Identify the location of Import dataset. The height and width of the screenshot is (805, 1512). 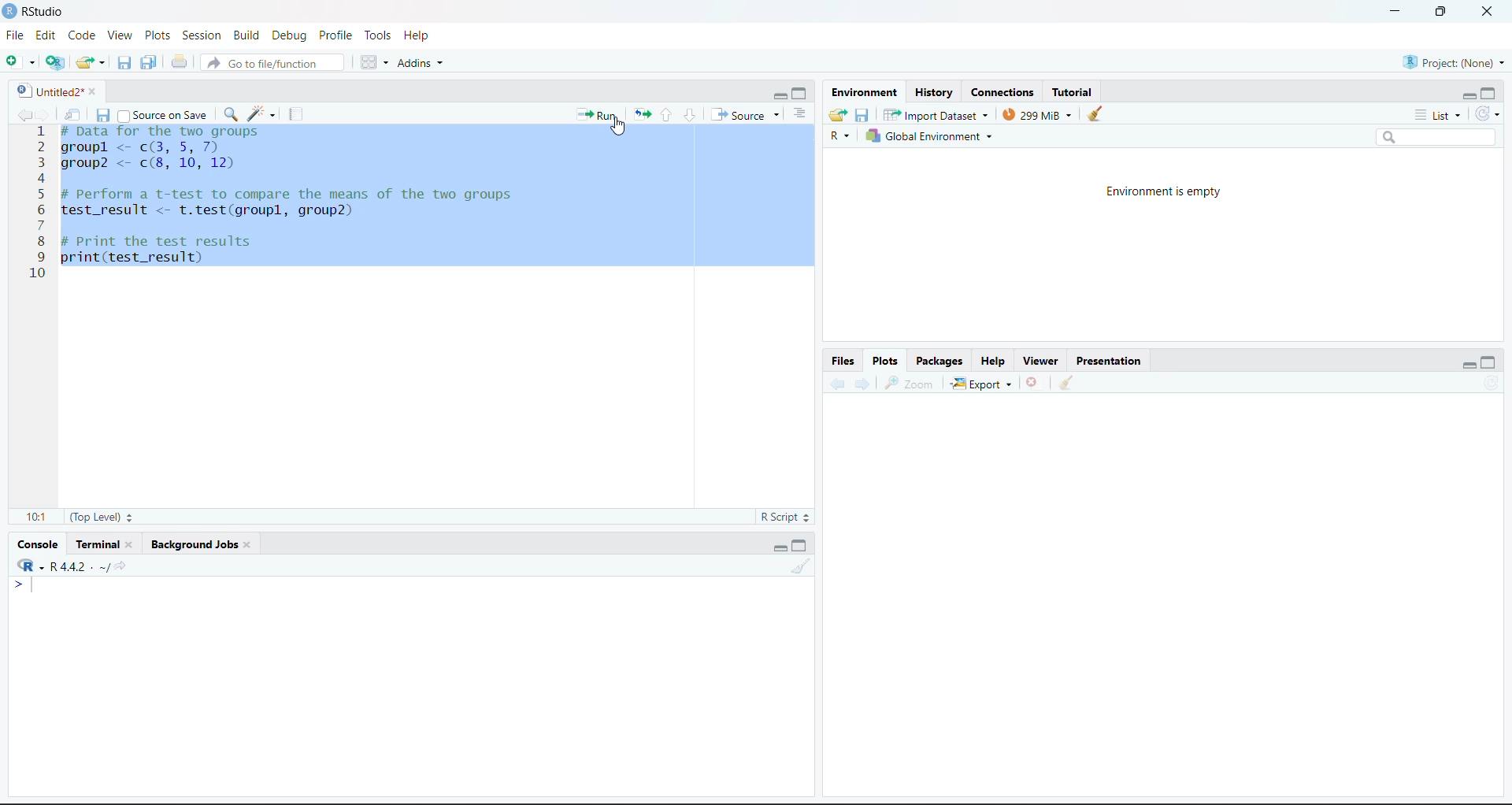
(937, 114).